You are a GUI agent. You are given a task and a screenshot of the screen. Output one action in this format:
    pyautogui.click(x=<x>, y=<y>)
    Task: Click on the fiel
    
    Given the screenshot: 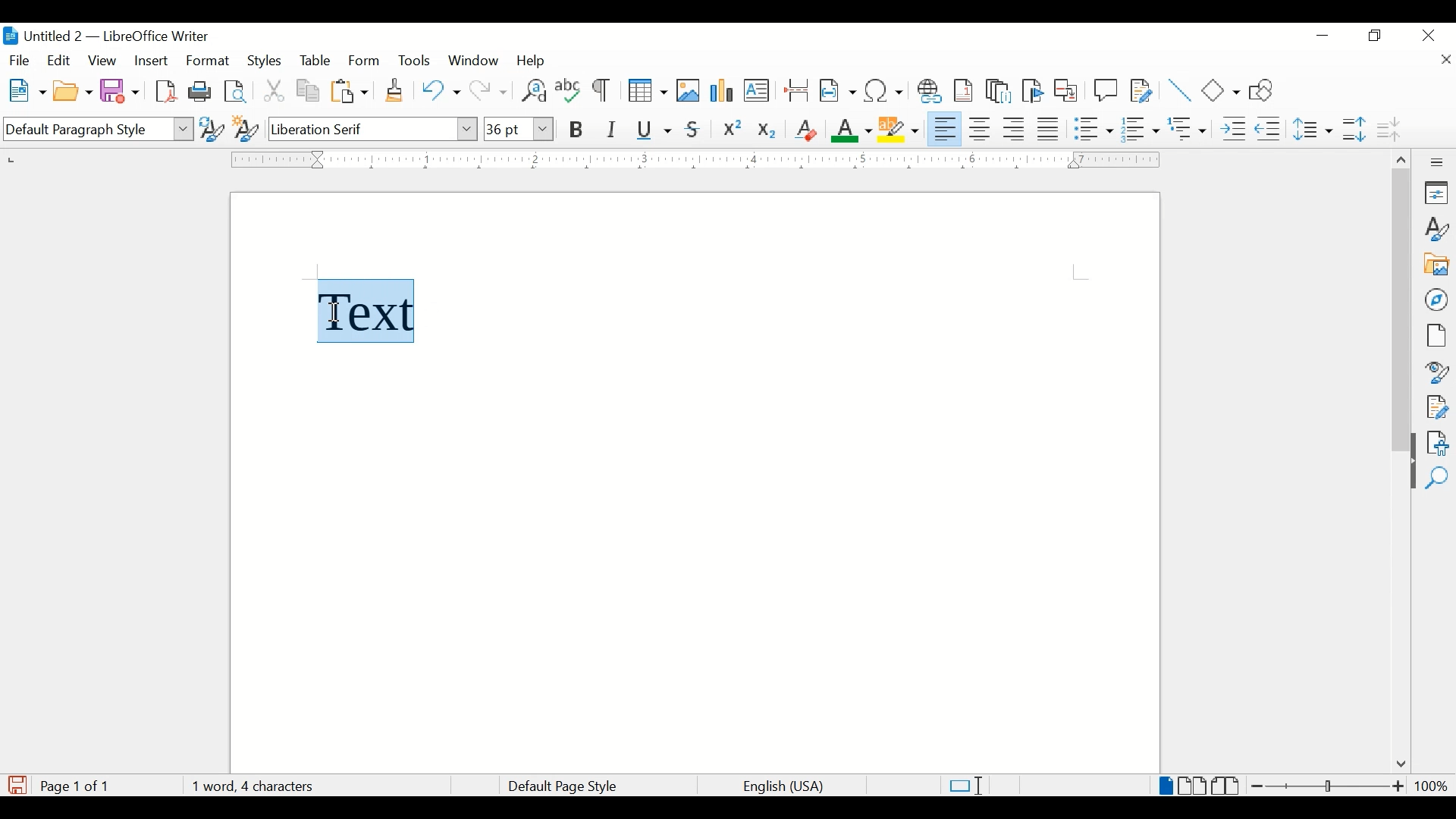 What is the action you would take?
    pyautogui.click(x=20, y=61)
    